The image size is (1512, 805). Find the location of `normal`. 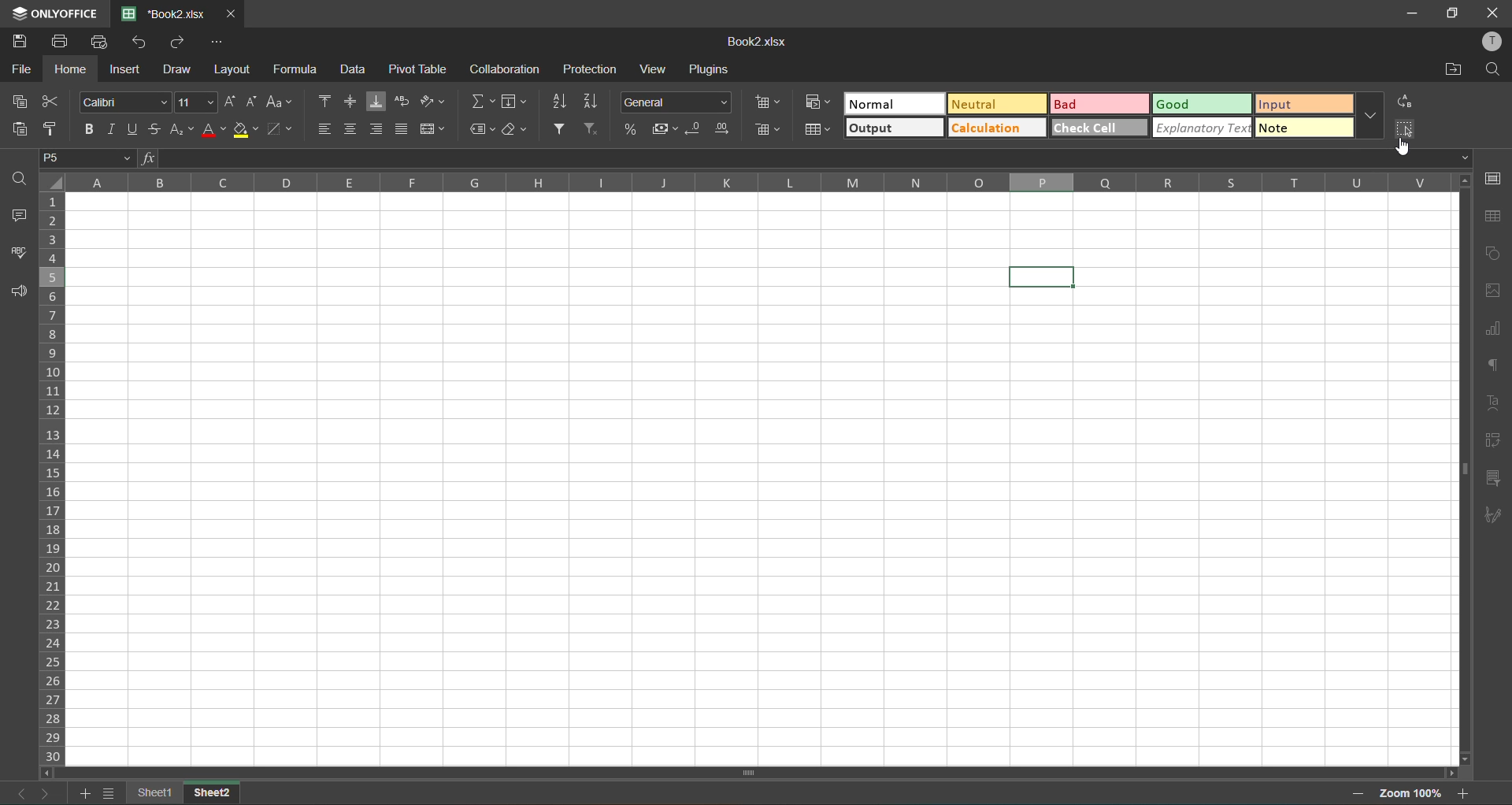

normal is located at coordinates (893, 103).